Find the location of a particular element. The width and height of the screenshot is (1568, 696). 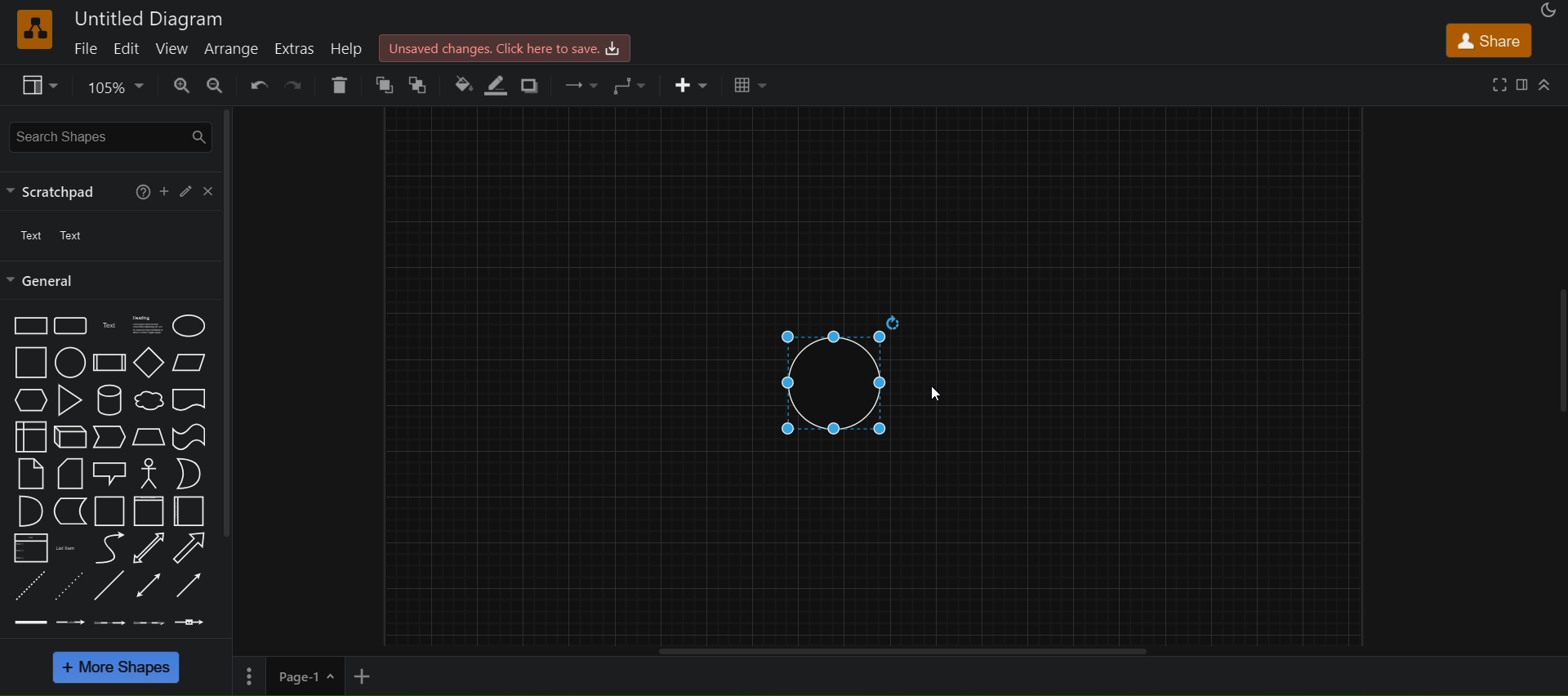

unsaved changes. click here to save is located at coordinates (506, 46).